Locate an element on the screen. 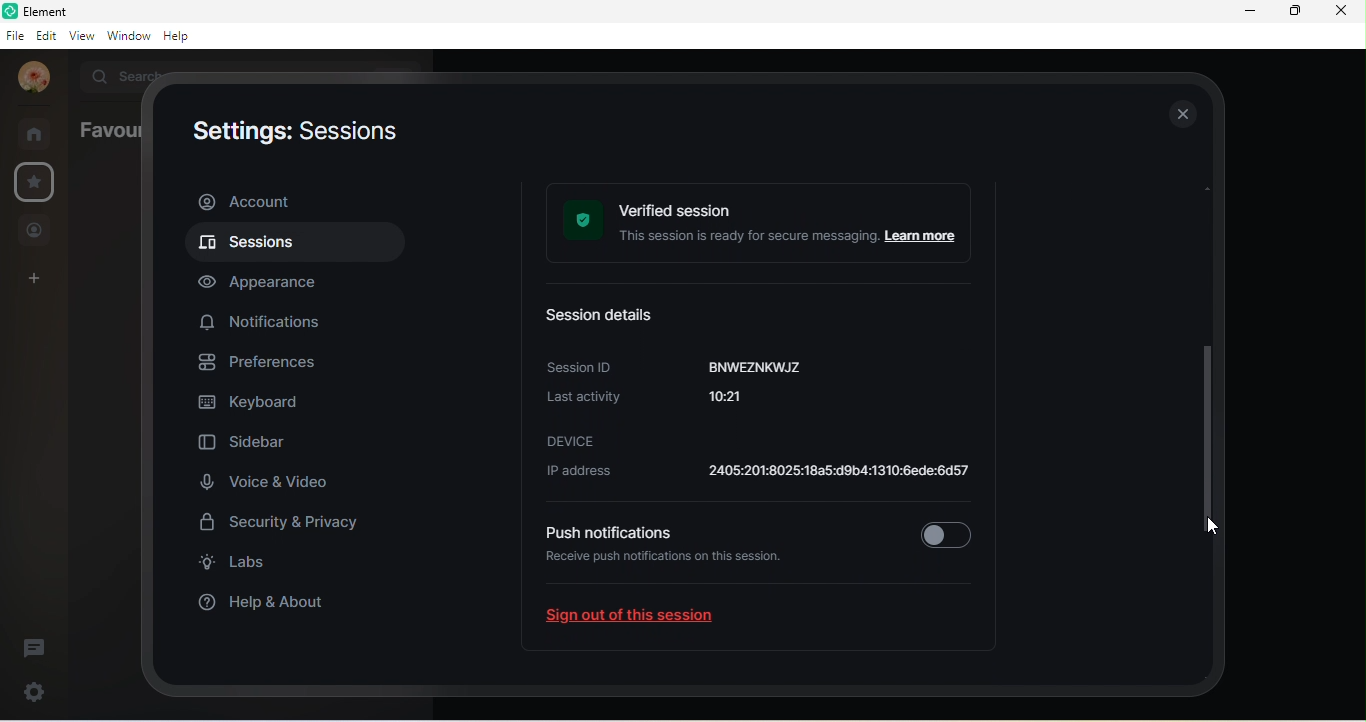  sessions is located at coordinates (291, 245).